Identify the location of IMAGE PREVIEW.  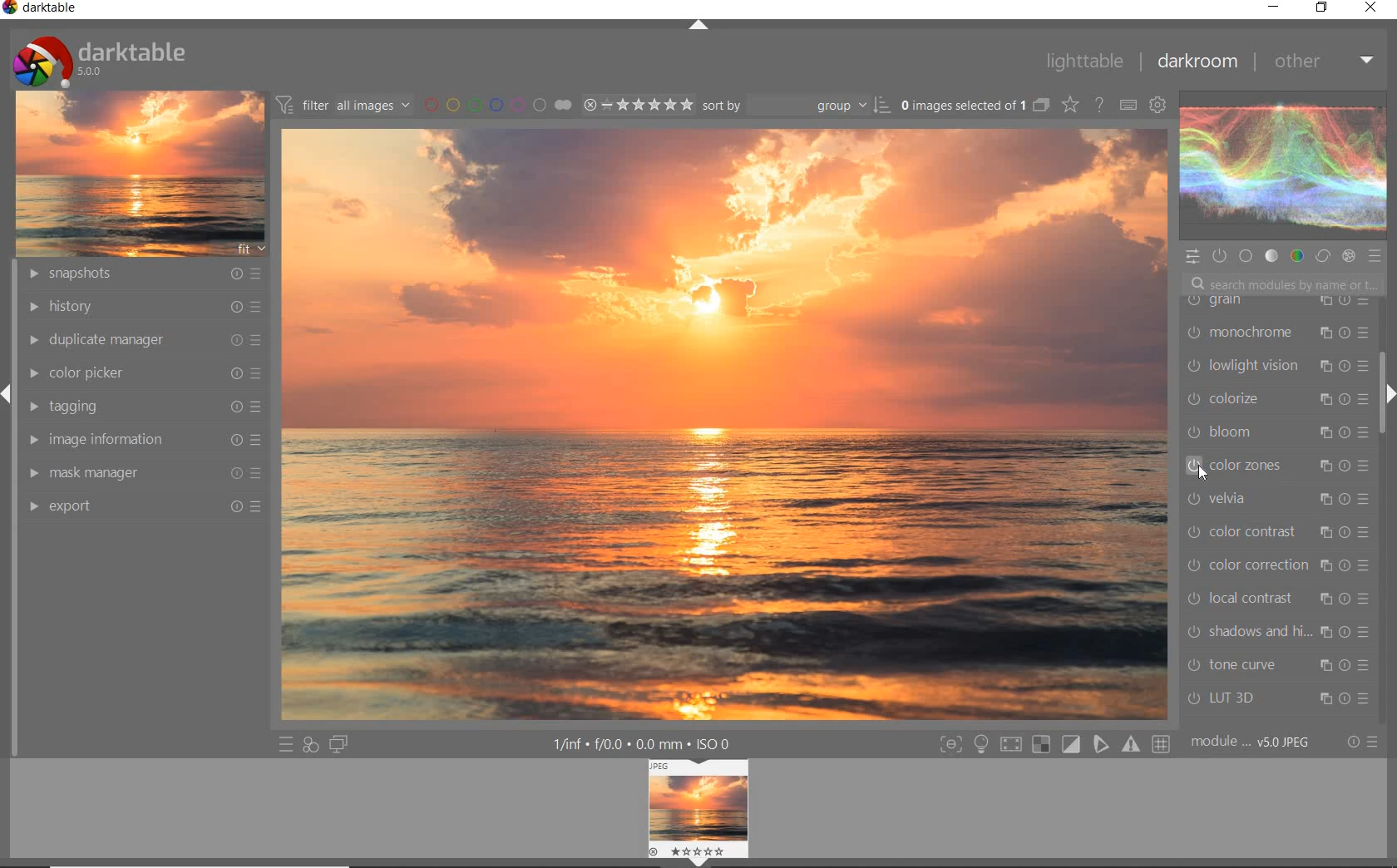
(698, 814).